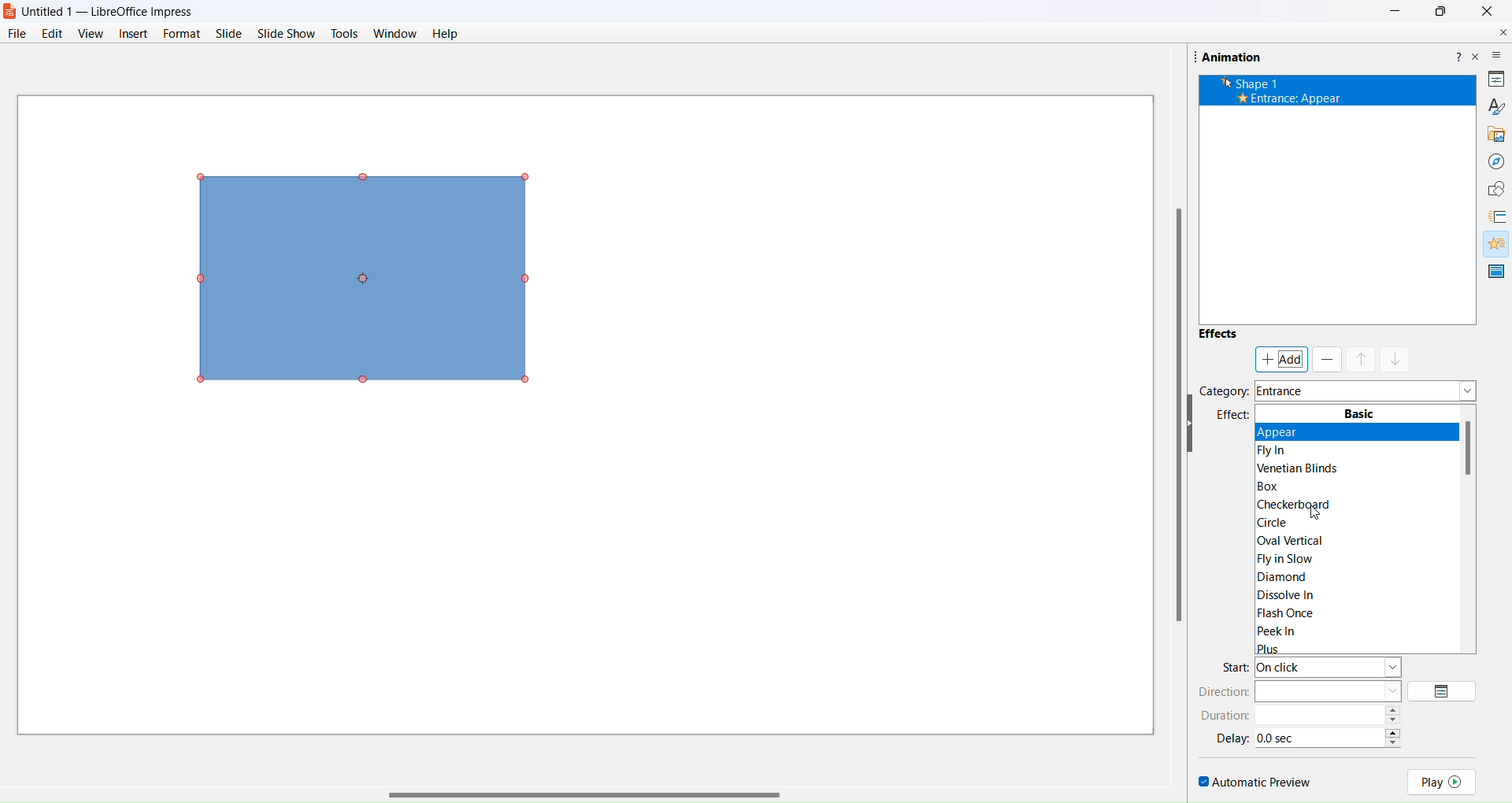  What do you see at coordinates (18, 33) in the screenshot?
I see `file` at bounding box center [18, 33].